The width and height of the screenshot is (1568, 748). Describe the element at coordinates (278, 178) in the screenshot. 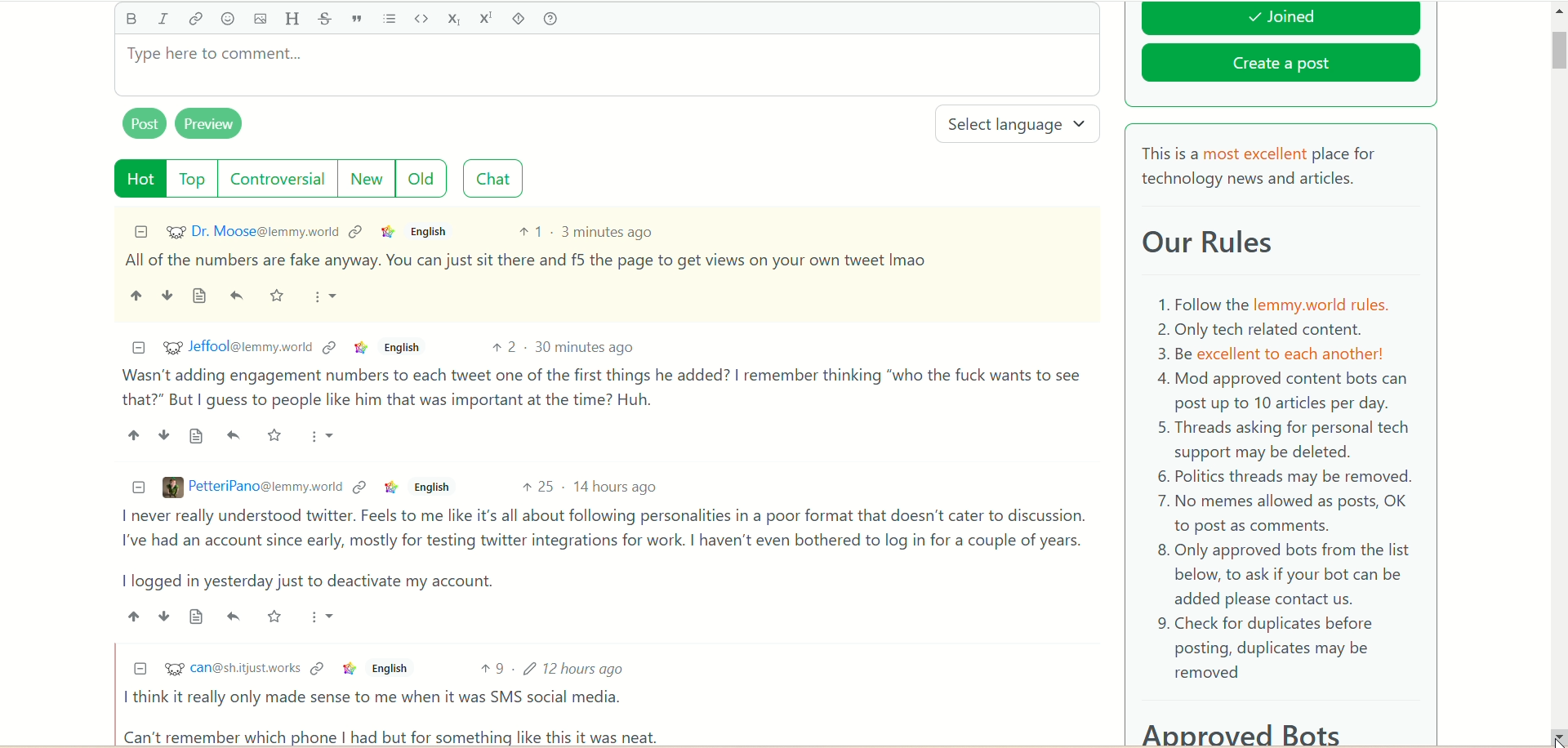

I see `controversial` at that location.